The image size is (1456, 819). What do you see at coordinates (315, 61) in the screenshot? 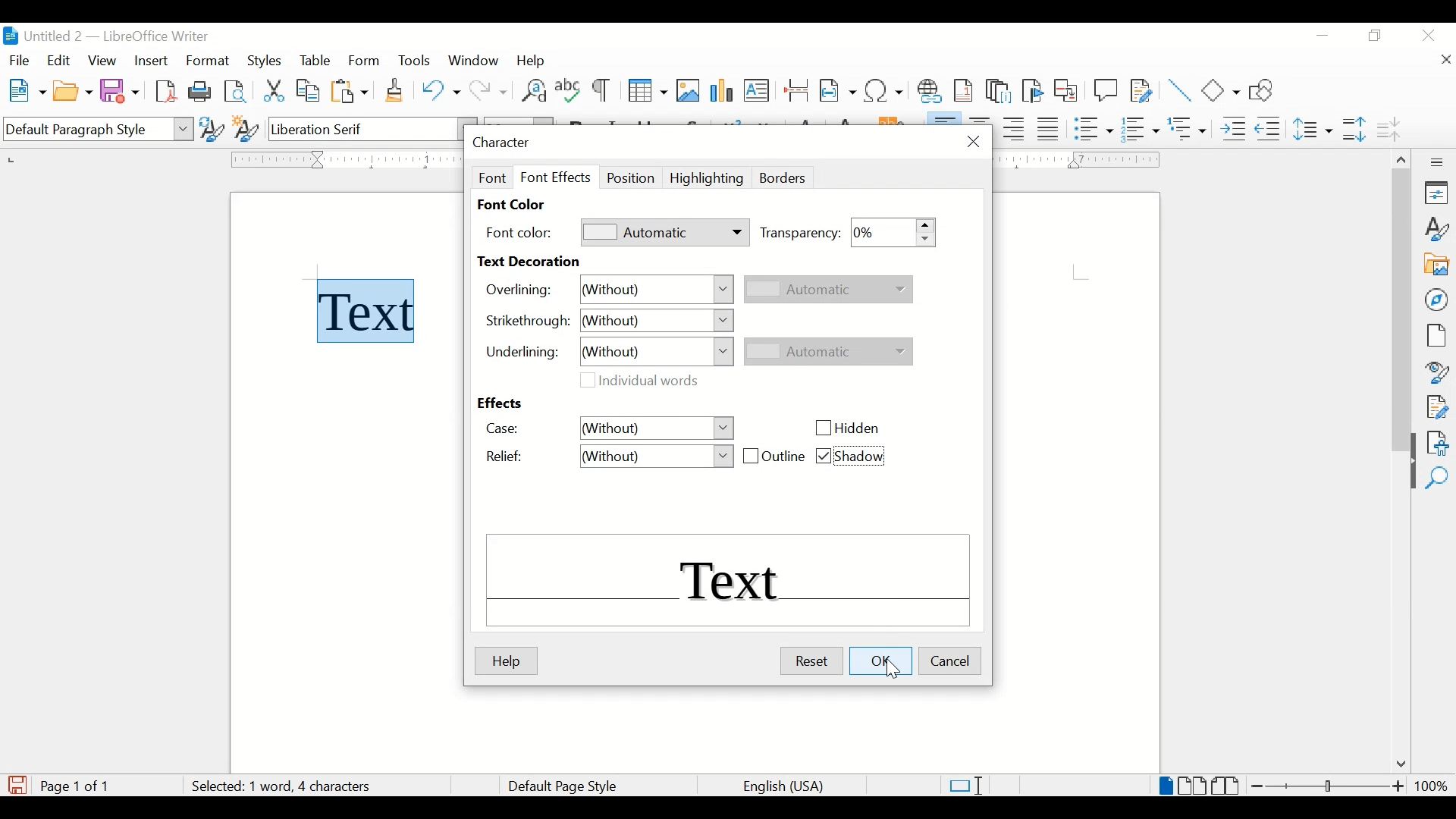
I see `table` at bounding box center [315, 61].